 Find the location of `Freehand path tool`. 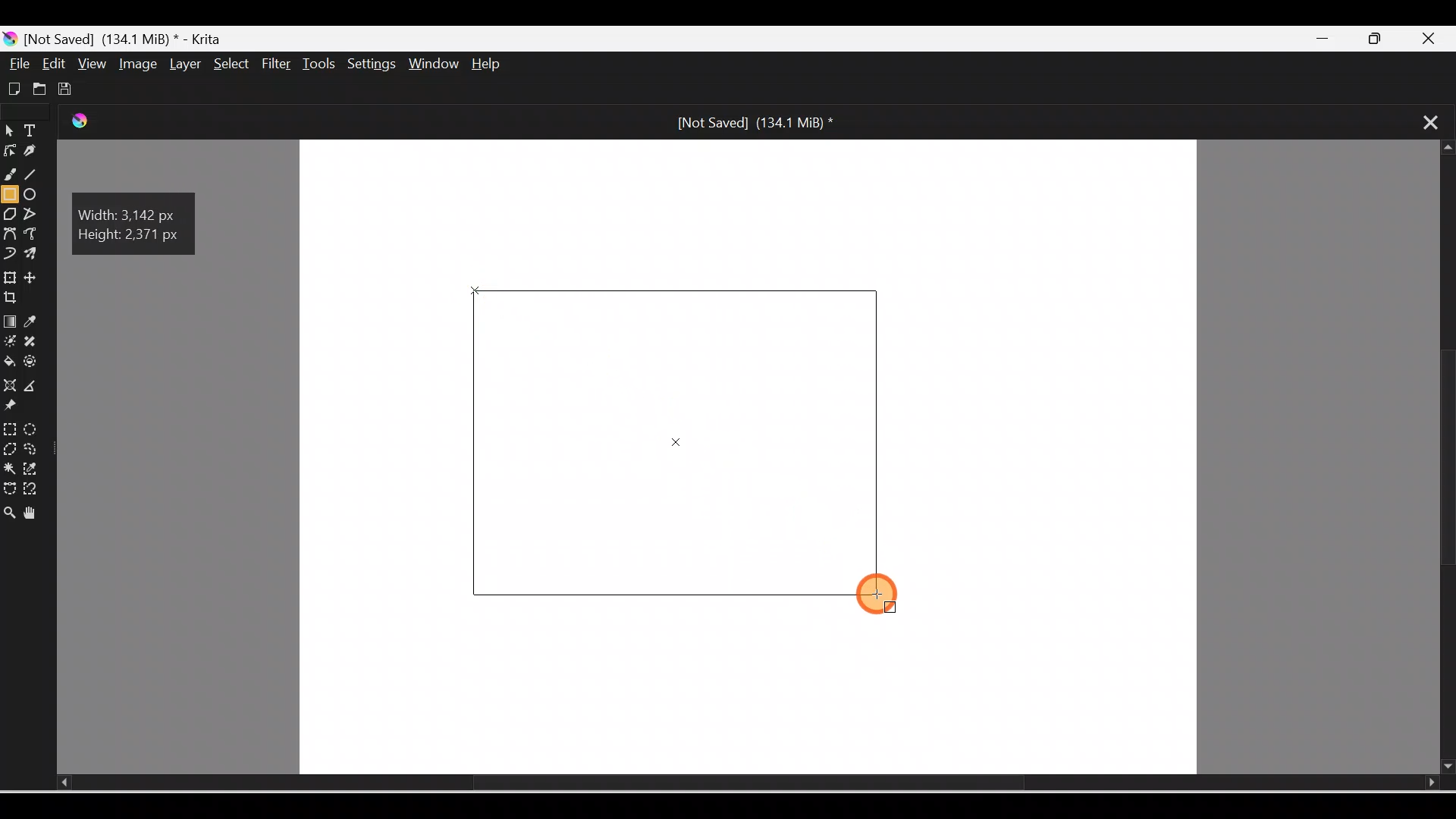

Freehand path tool is located at coordinates (35, 235).